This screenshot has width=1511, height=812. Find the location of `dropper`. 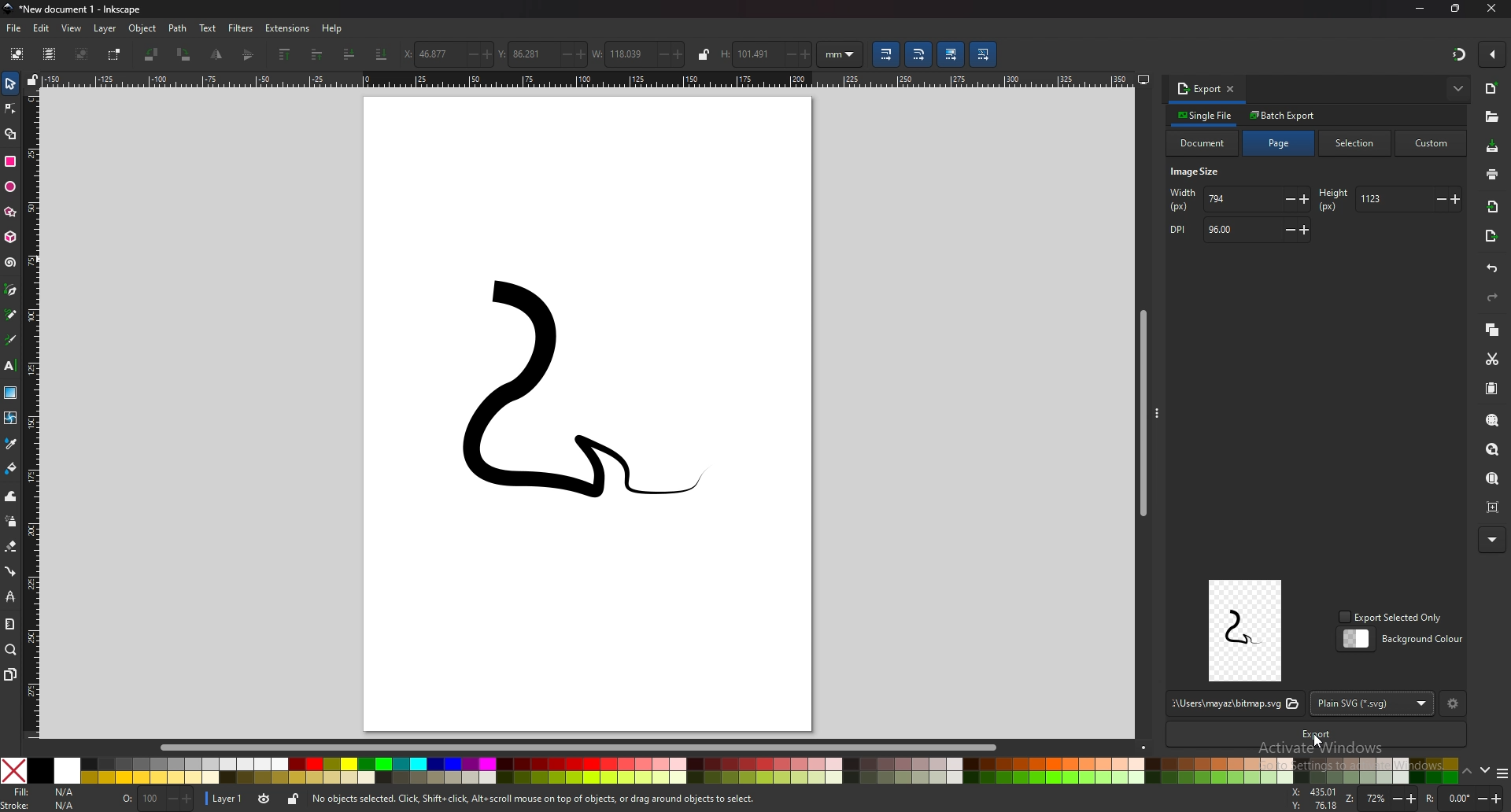

dropper is located at coordinates (11, 443).